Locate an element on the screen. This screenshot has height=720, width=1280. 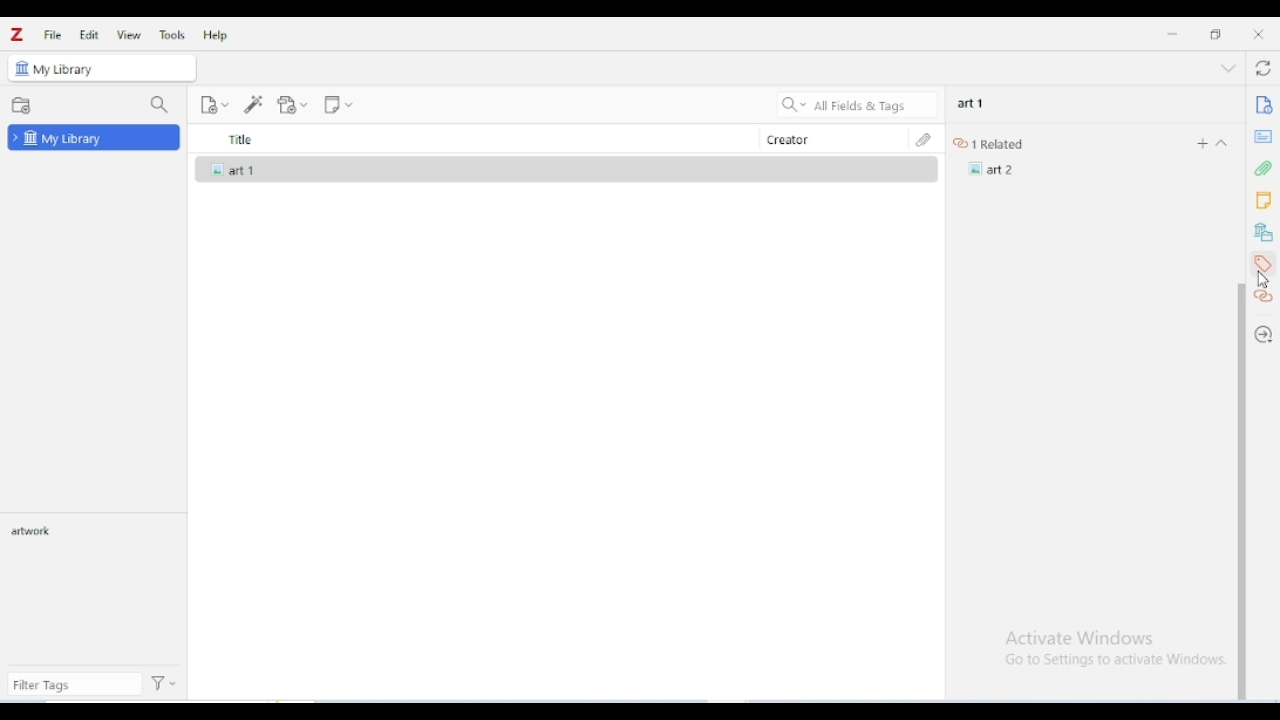
attachments is located at coordinates (1265, 169).